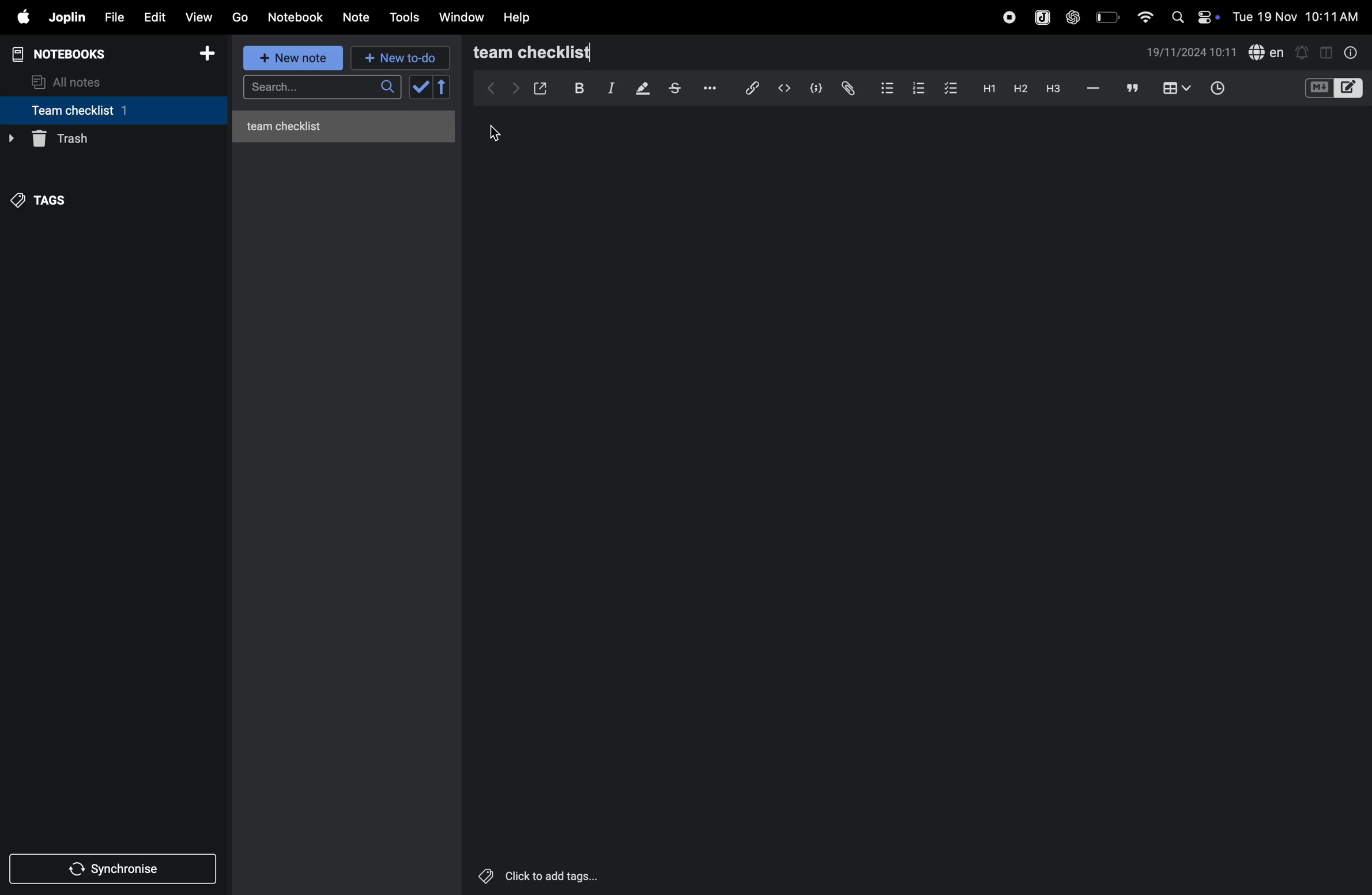 The image size is (1372, 895). What do you see at coordinates (1177, 17) in the screenshot?
I see `search` at bounding box center [1177, 17].